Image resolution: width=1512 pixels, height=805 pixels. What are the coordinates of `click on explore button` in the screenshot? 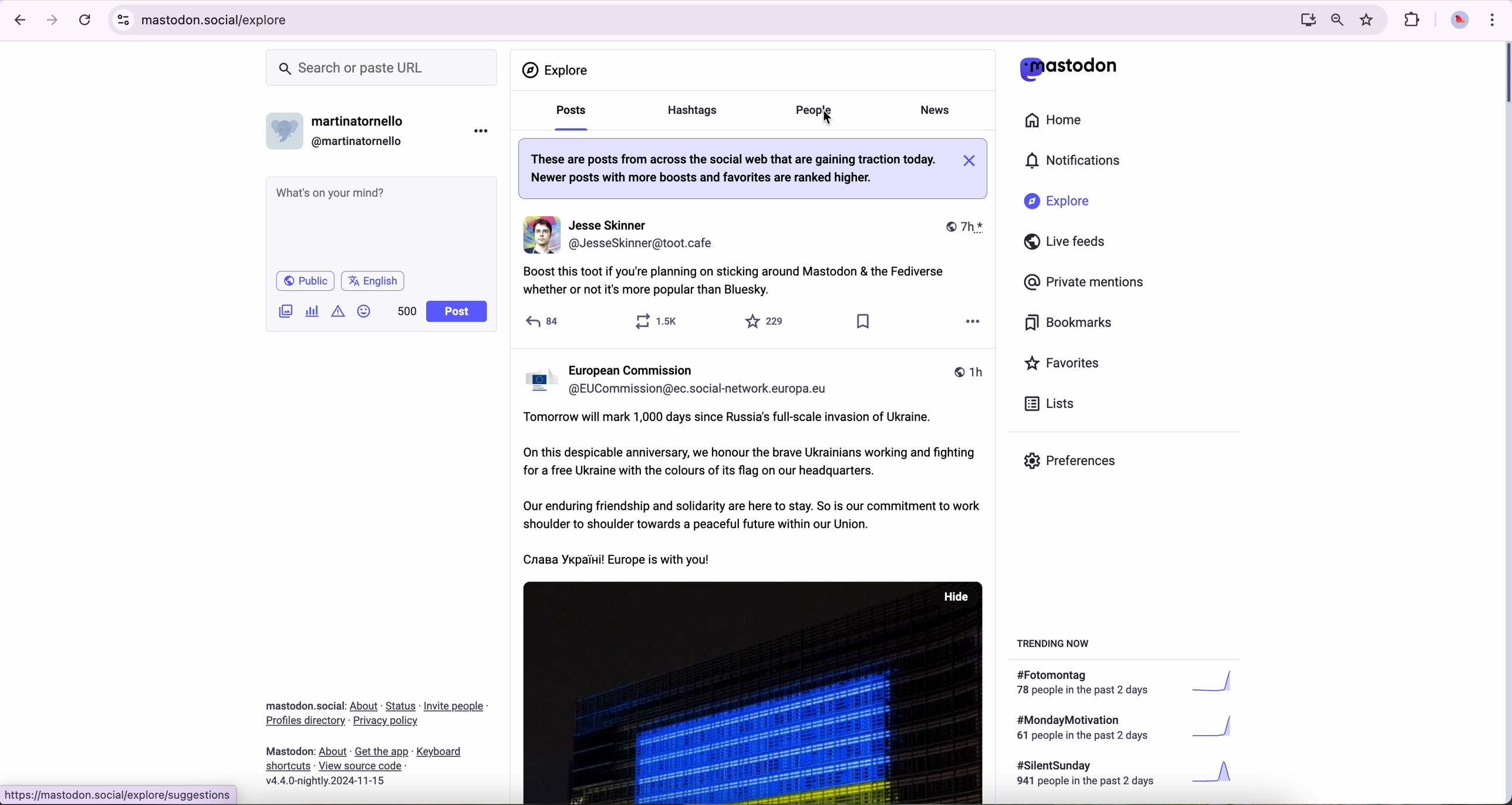 It's located at (1060, 207).